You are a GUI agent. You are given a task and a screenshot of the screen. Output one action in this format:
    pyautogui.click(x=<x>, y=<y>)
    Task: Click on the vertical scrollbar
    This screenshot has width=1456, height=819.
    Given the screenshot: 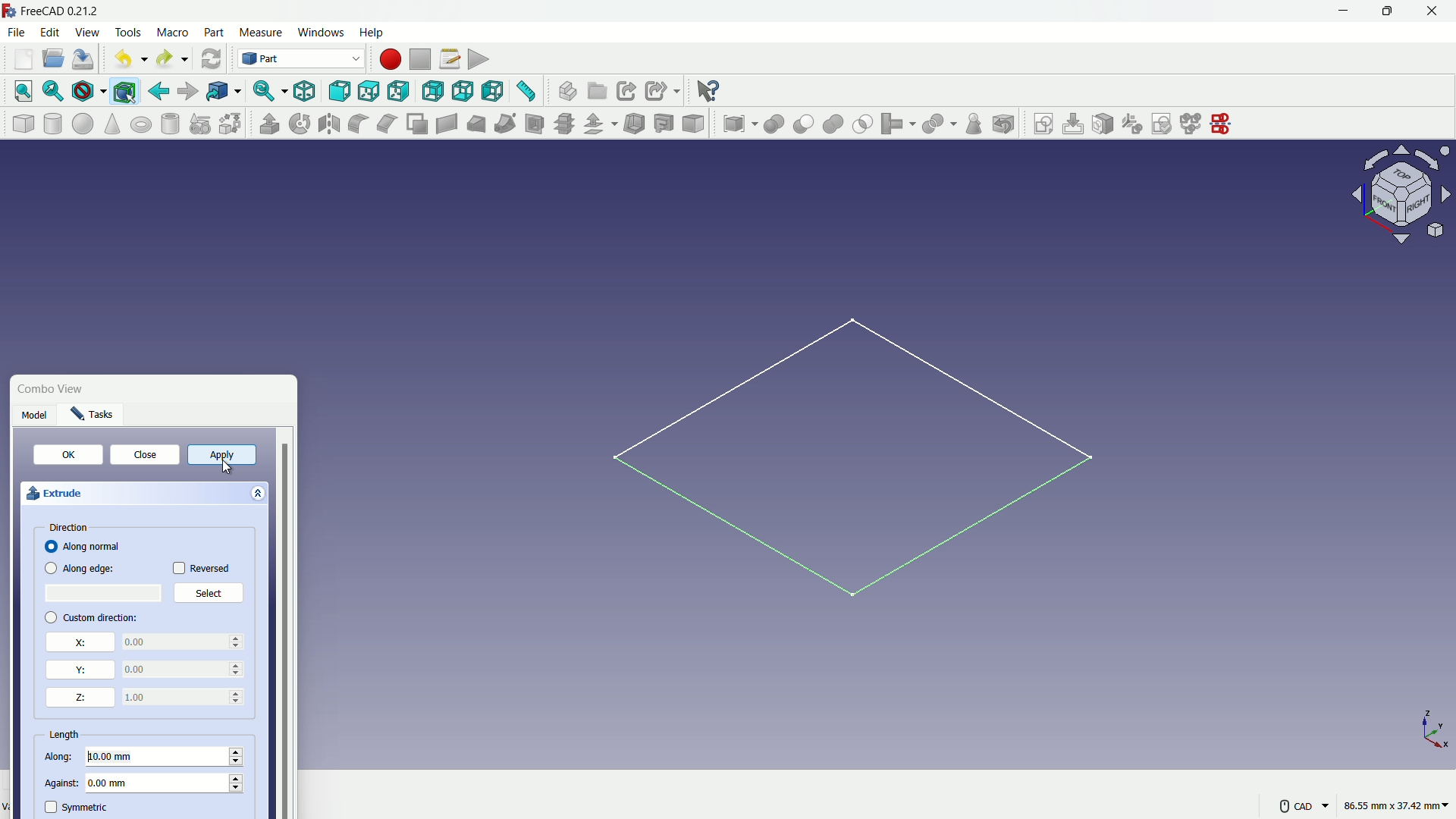 What is the action you would take?
    pyautogui.click(x=287, y=623)
    